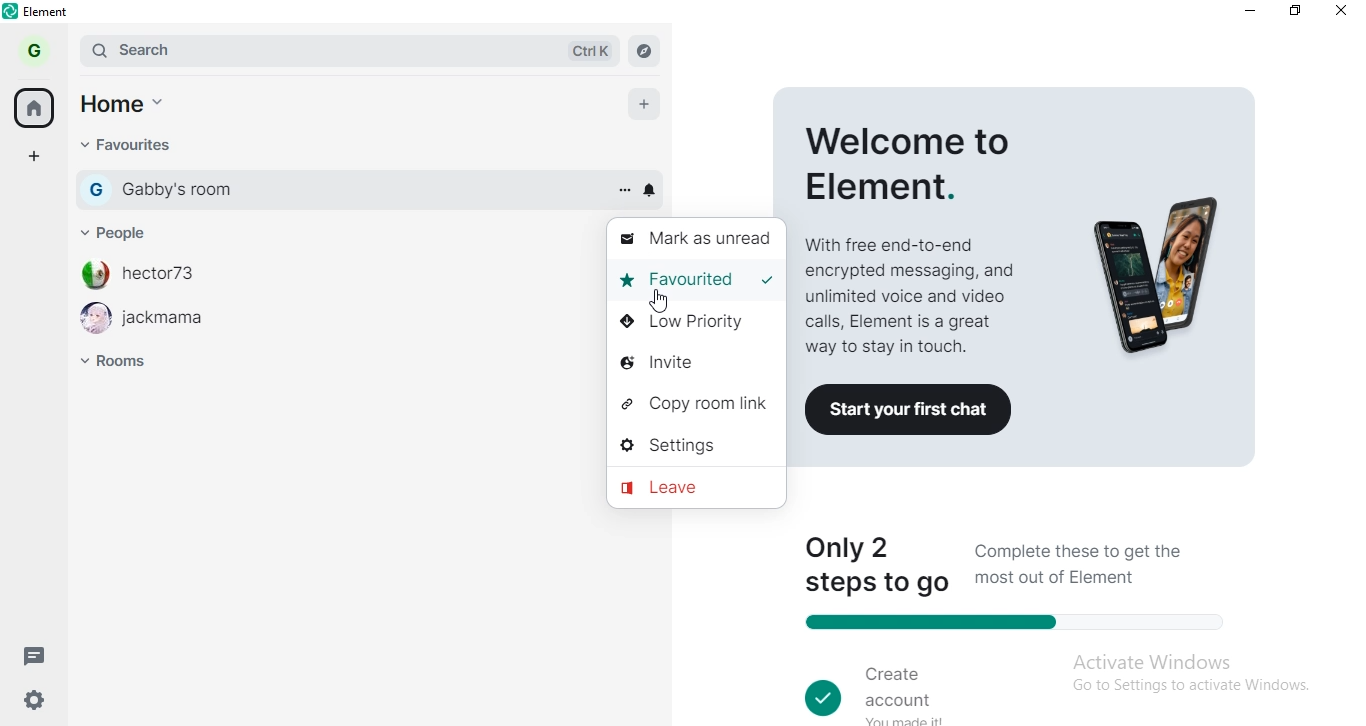 The height and width of the screenshot is (726, 1366). Describe the element at coordinates (676, 284) in the screenshot. I see `favourited` at that location.